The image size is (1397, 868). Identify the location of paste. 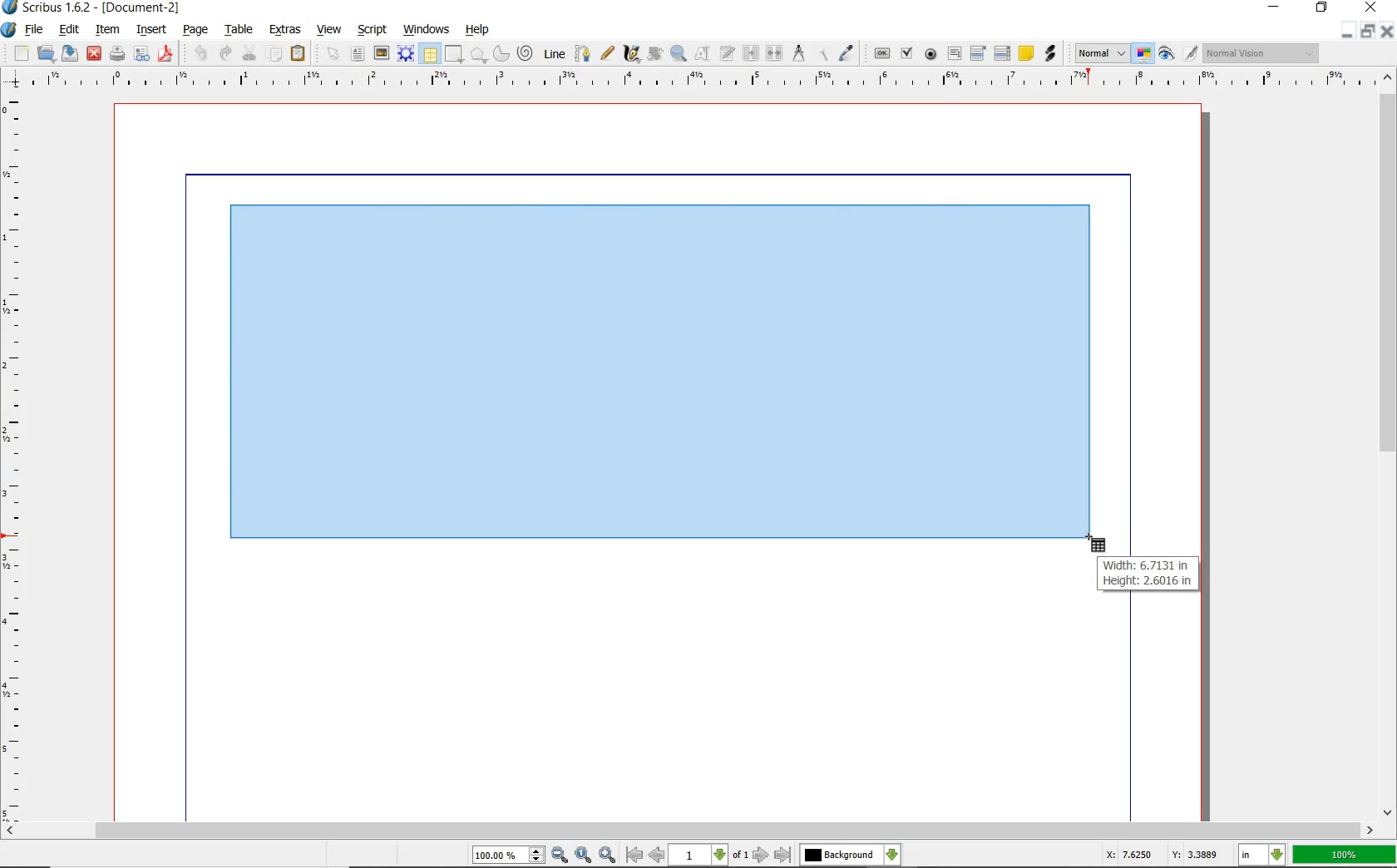
(299, 55).